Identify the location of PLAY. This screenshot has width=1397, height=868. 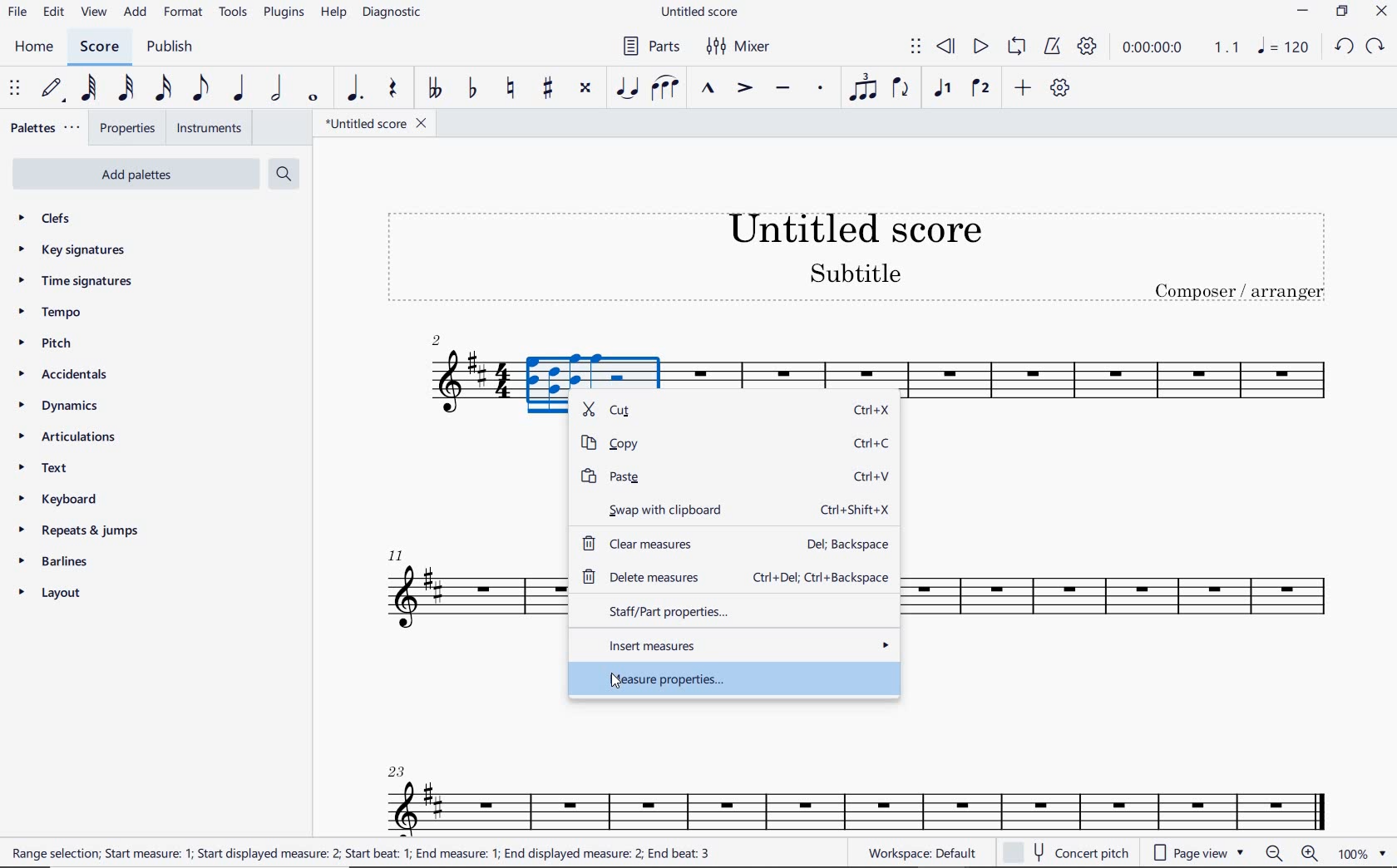
(979, 47).